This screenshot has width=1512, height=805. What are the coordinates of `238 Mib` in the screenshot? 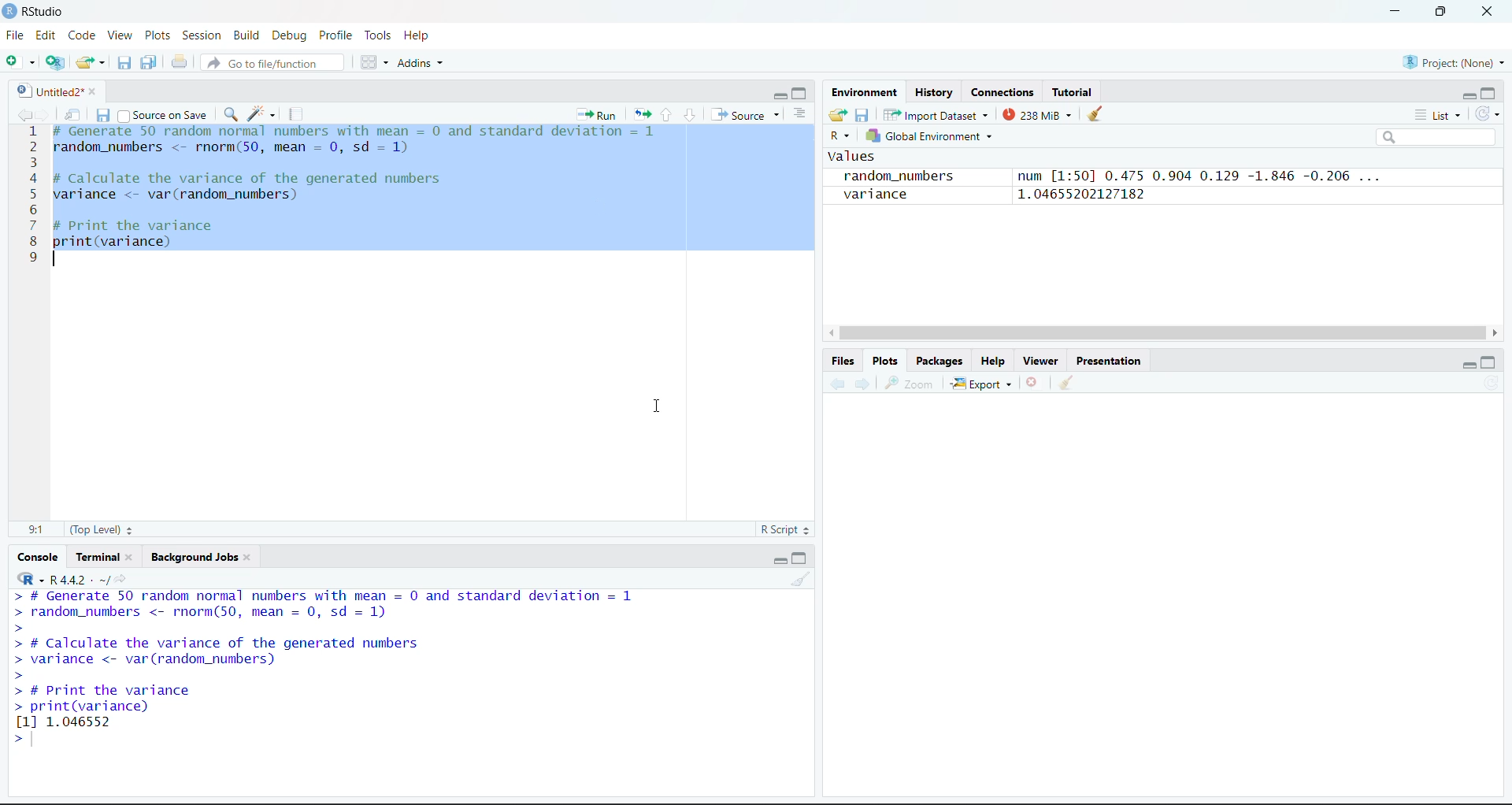 It's located at (1037, 114).